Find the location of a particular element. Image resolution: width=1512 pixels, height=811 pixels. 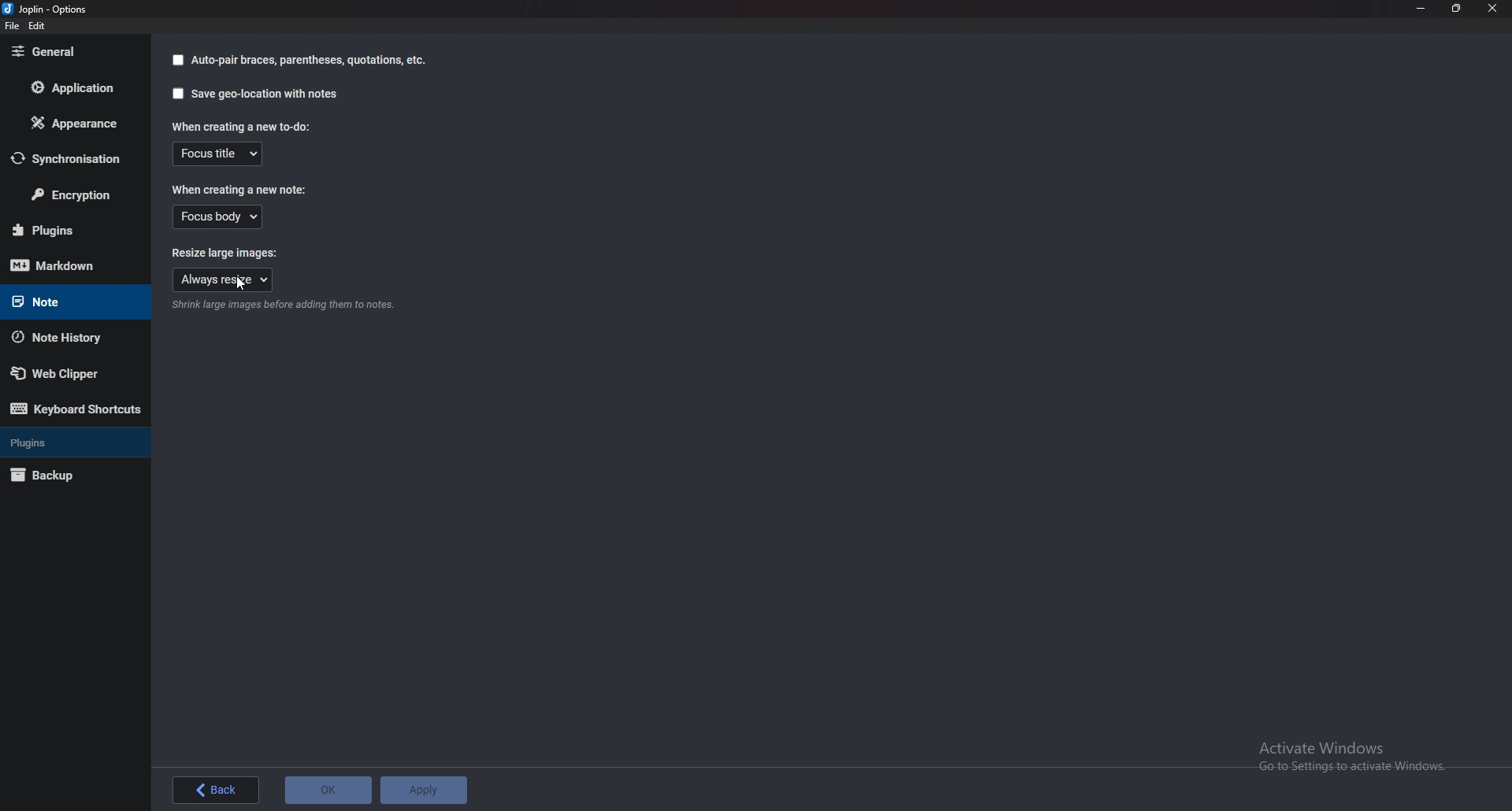

O K is located at coordinates (330, 789).